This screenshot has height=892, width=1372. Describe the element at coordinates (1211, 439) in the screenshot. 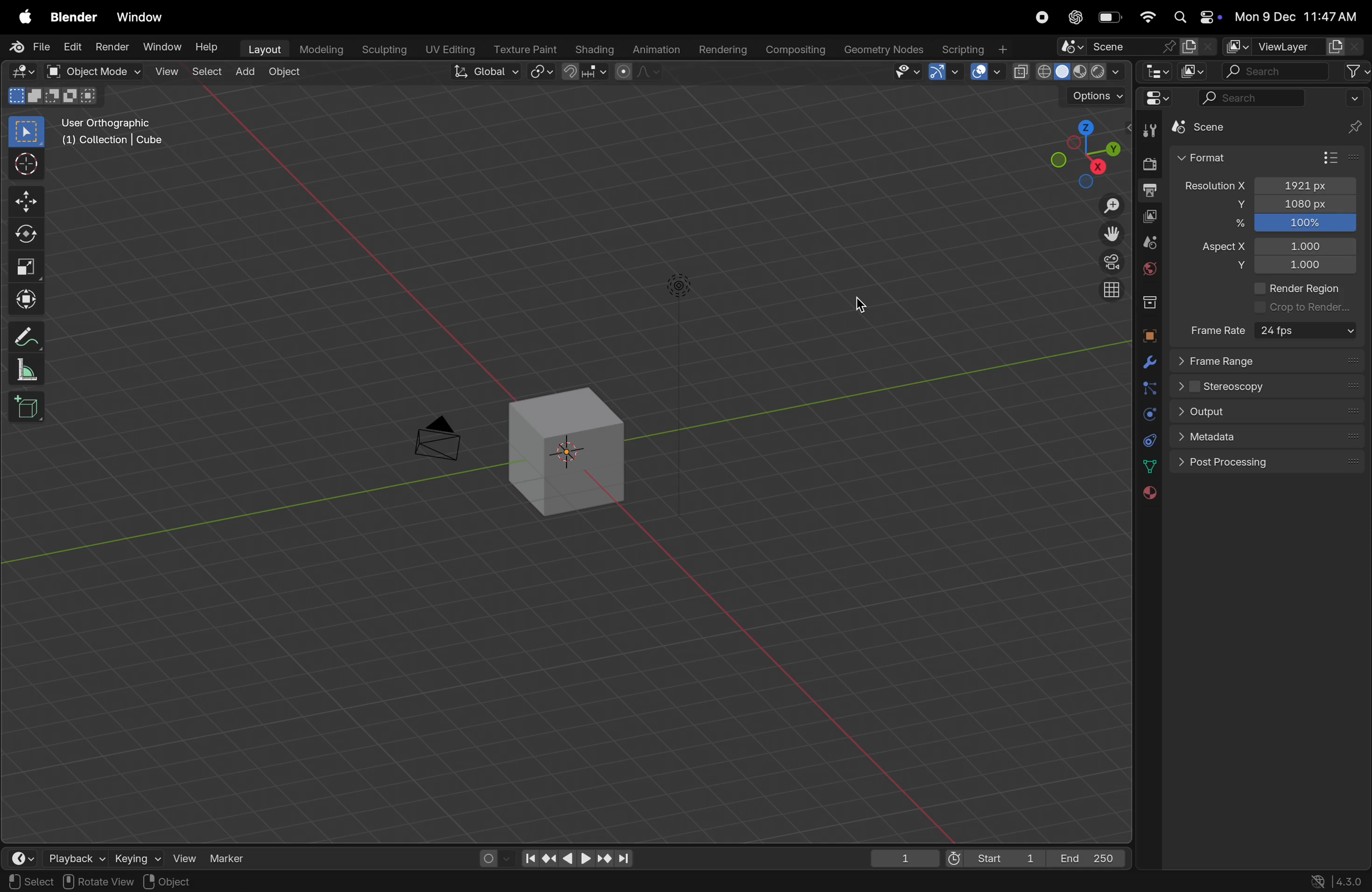

I see `metadata` at that location.